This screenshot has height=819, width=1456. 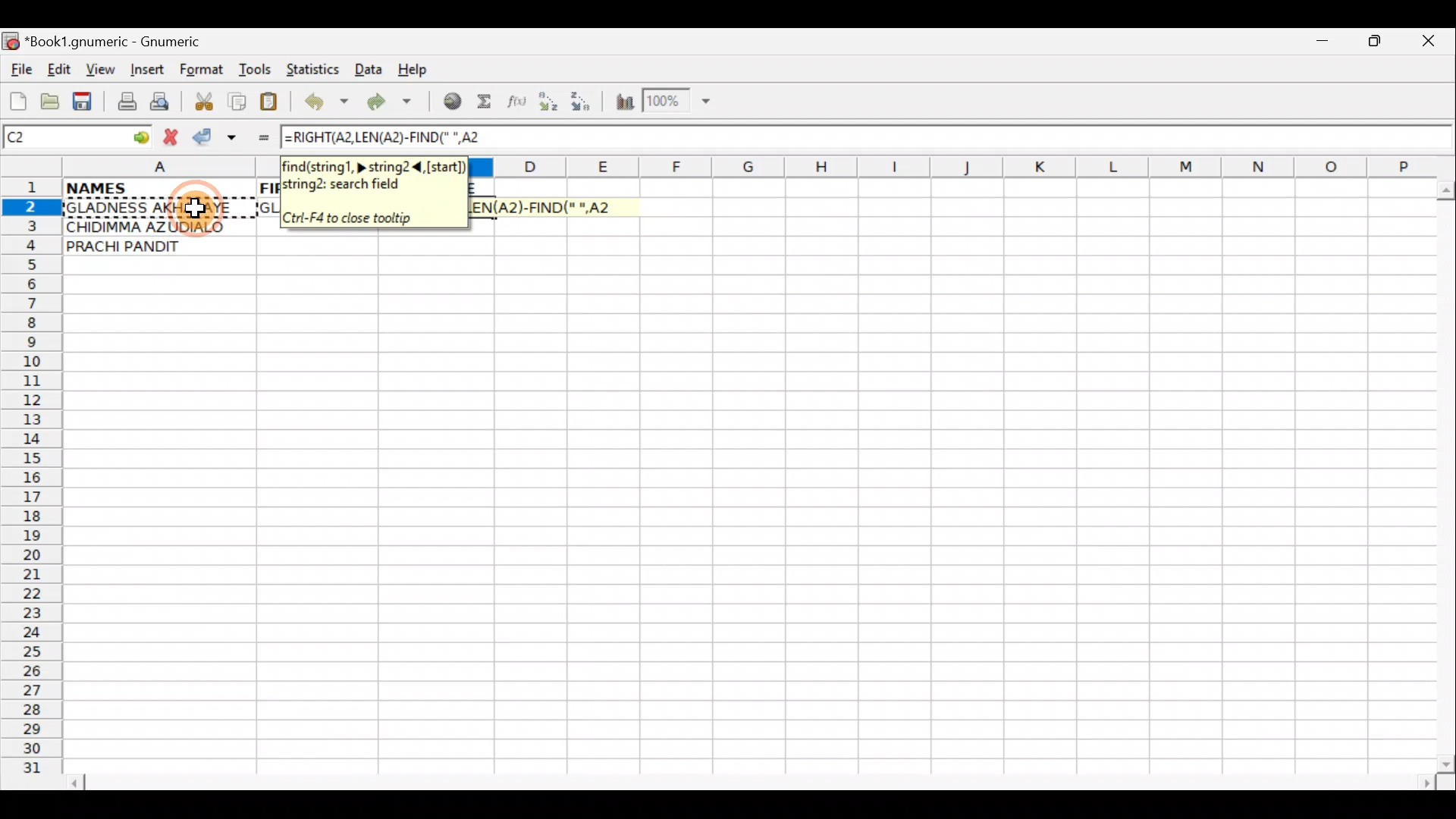 What do you see at coordinates (96, 69) in the screenshot?
I see `View` at bounding box center [96, 69].